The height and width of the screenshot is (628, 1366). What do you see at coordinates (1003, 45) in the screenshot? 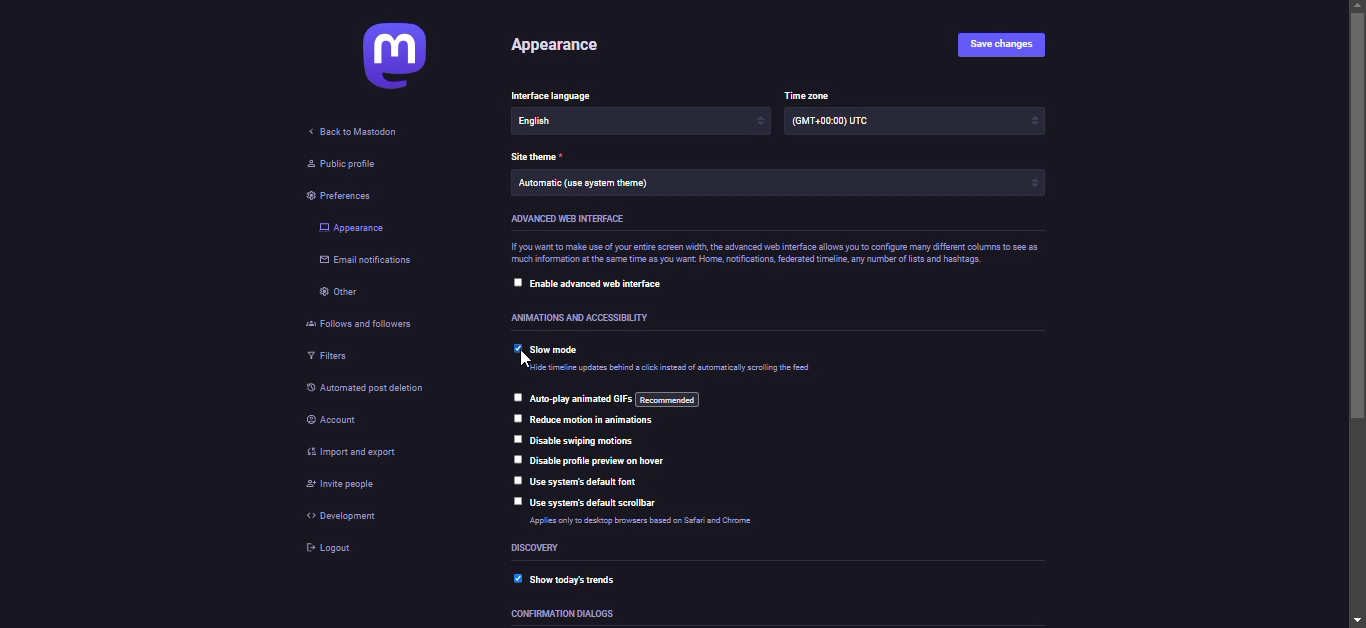
I see `save changes` at bounding box center [1003, 45].